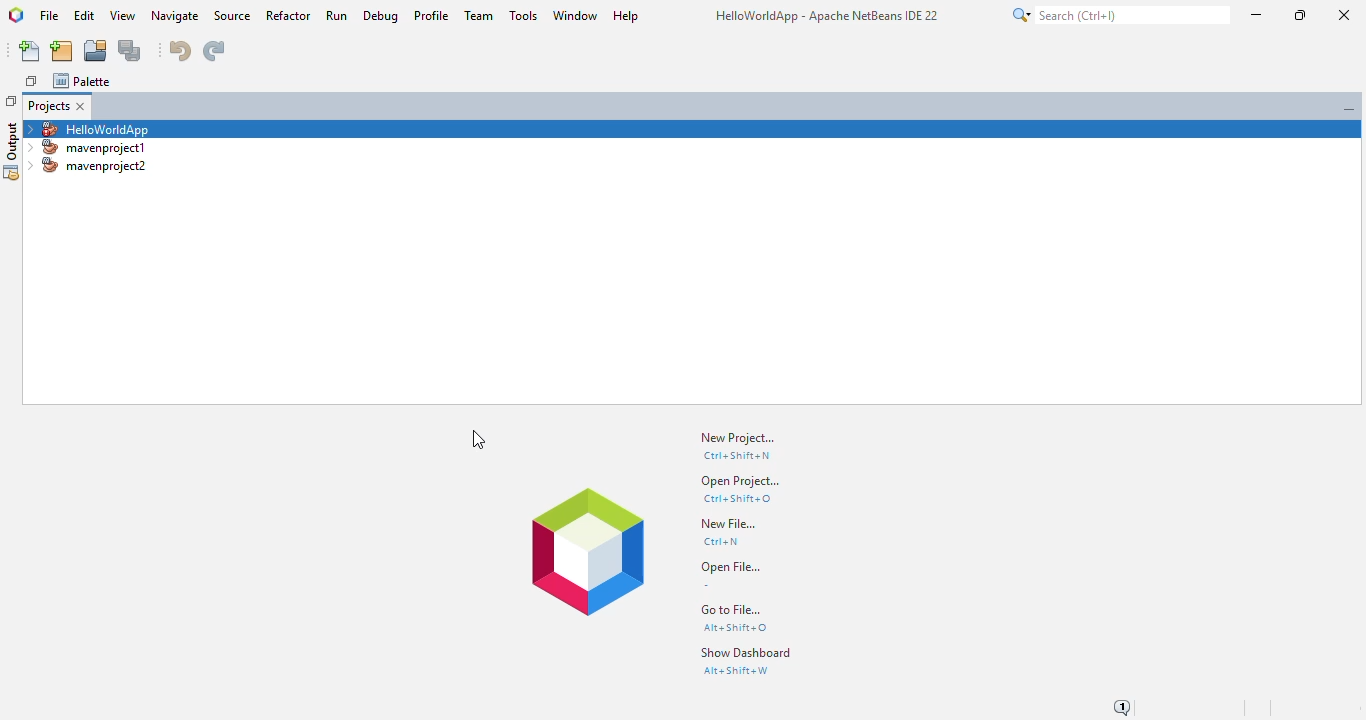 The height and width of the screenshot is (720, 1366). I want to click on redo, so click(213, 51).